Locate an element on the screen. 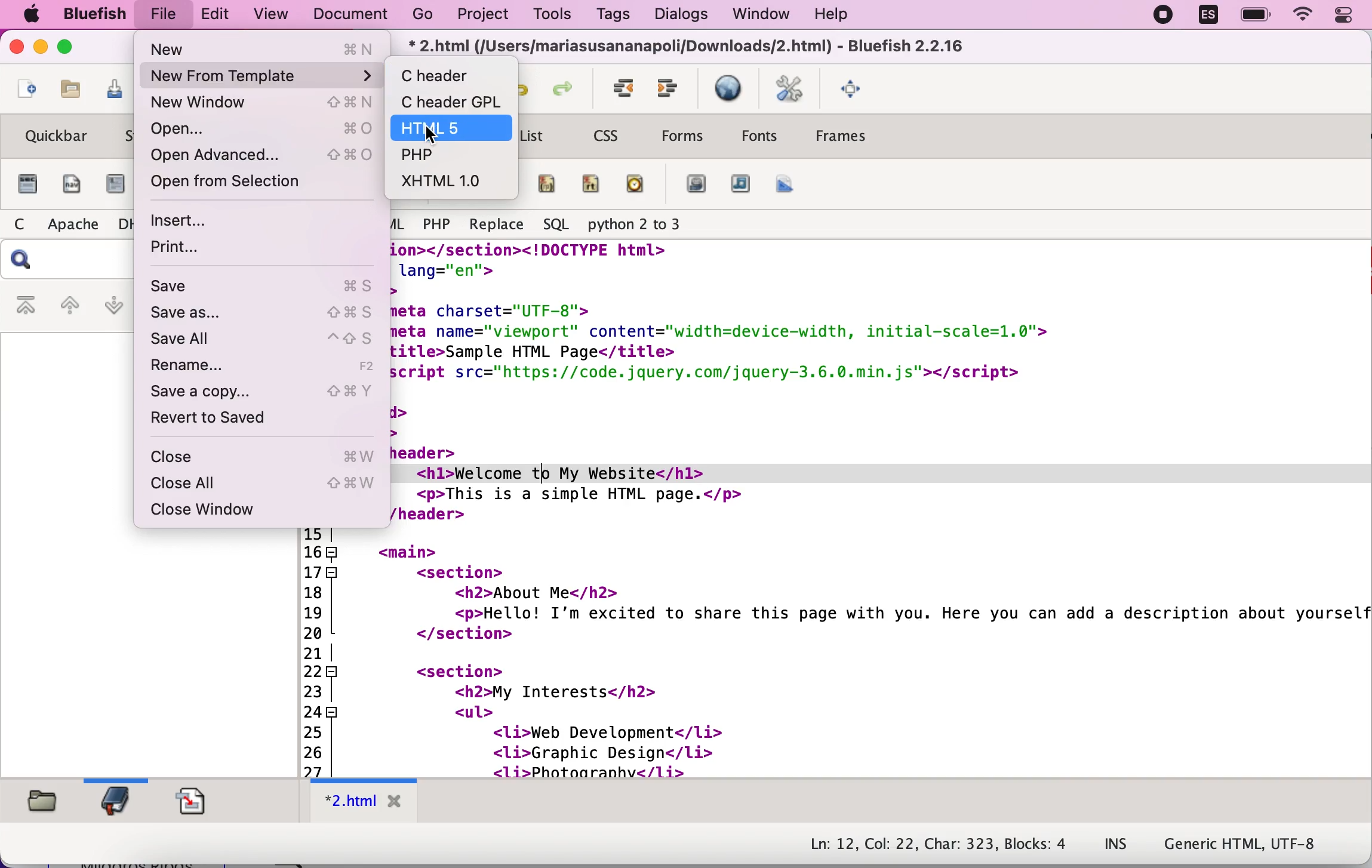 The image size is (1372, 868). unindent is located at coordinates (670, 90).